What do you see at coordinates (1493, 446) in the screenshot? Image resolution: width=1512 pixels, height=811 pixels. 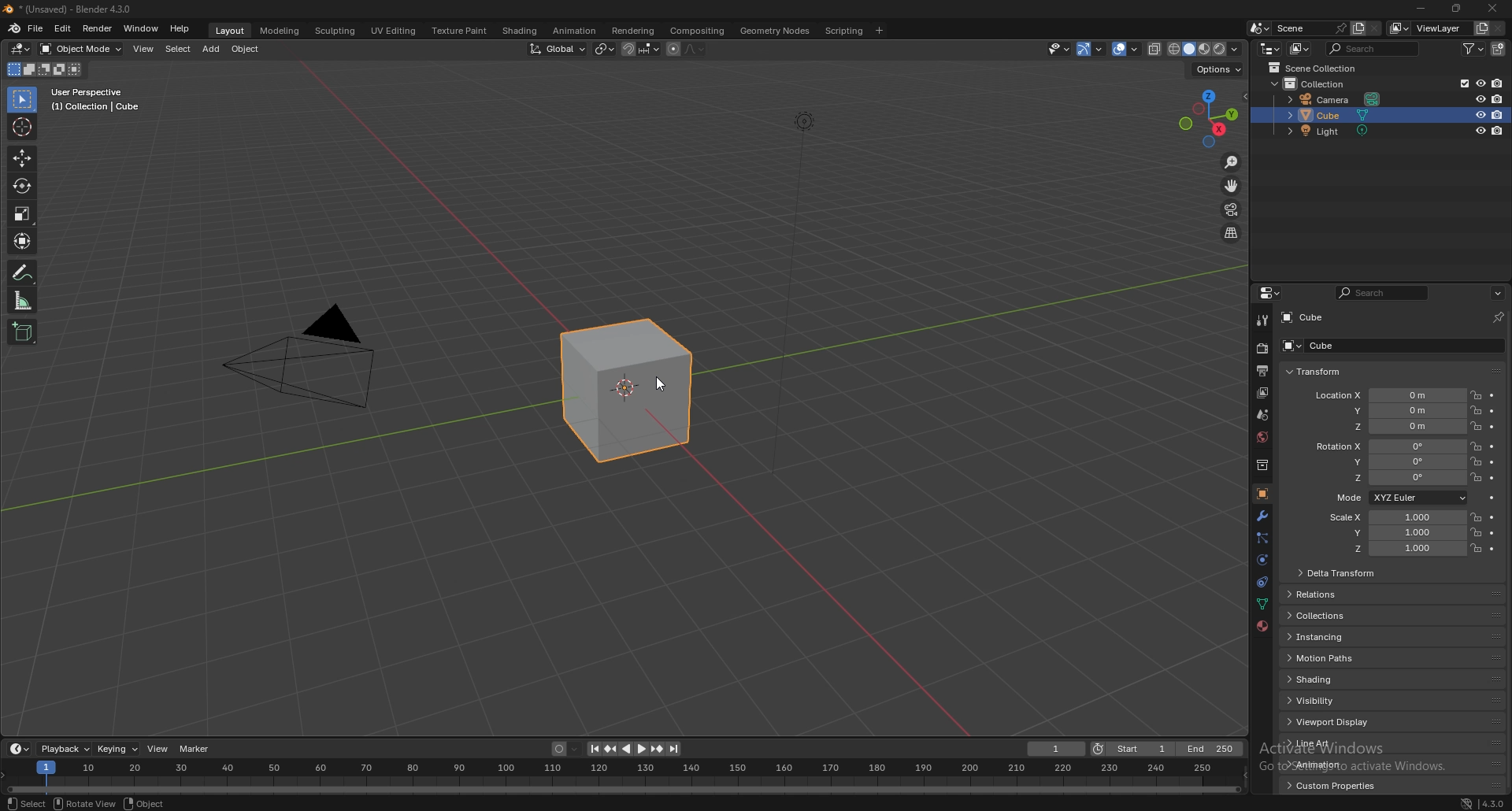 I see `animate property` at bounding box center [1493, 446].